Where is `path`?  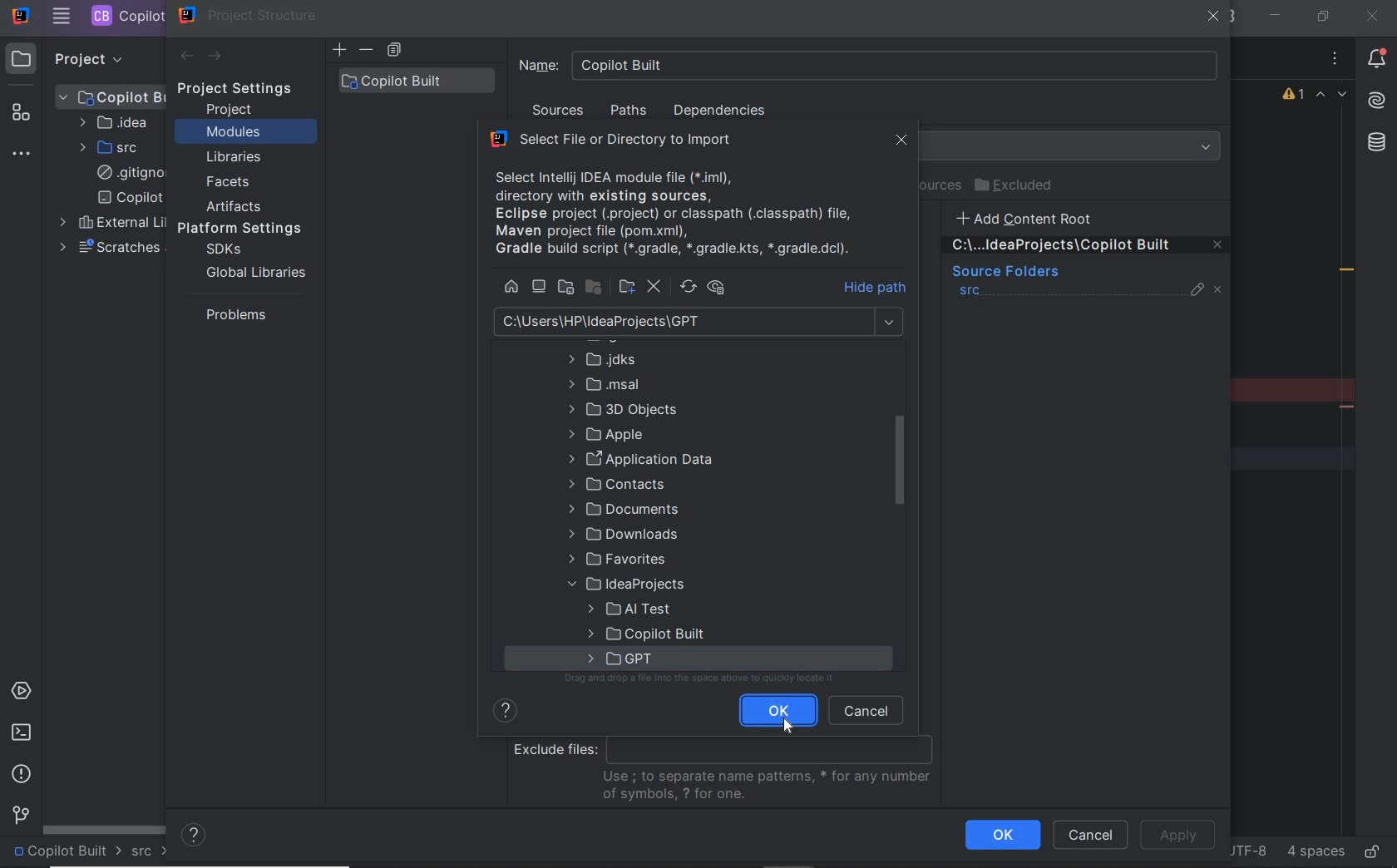 path is located at coordinates (699, 322).